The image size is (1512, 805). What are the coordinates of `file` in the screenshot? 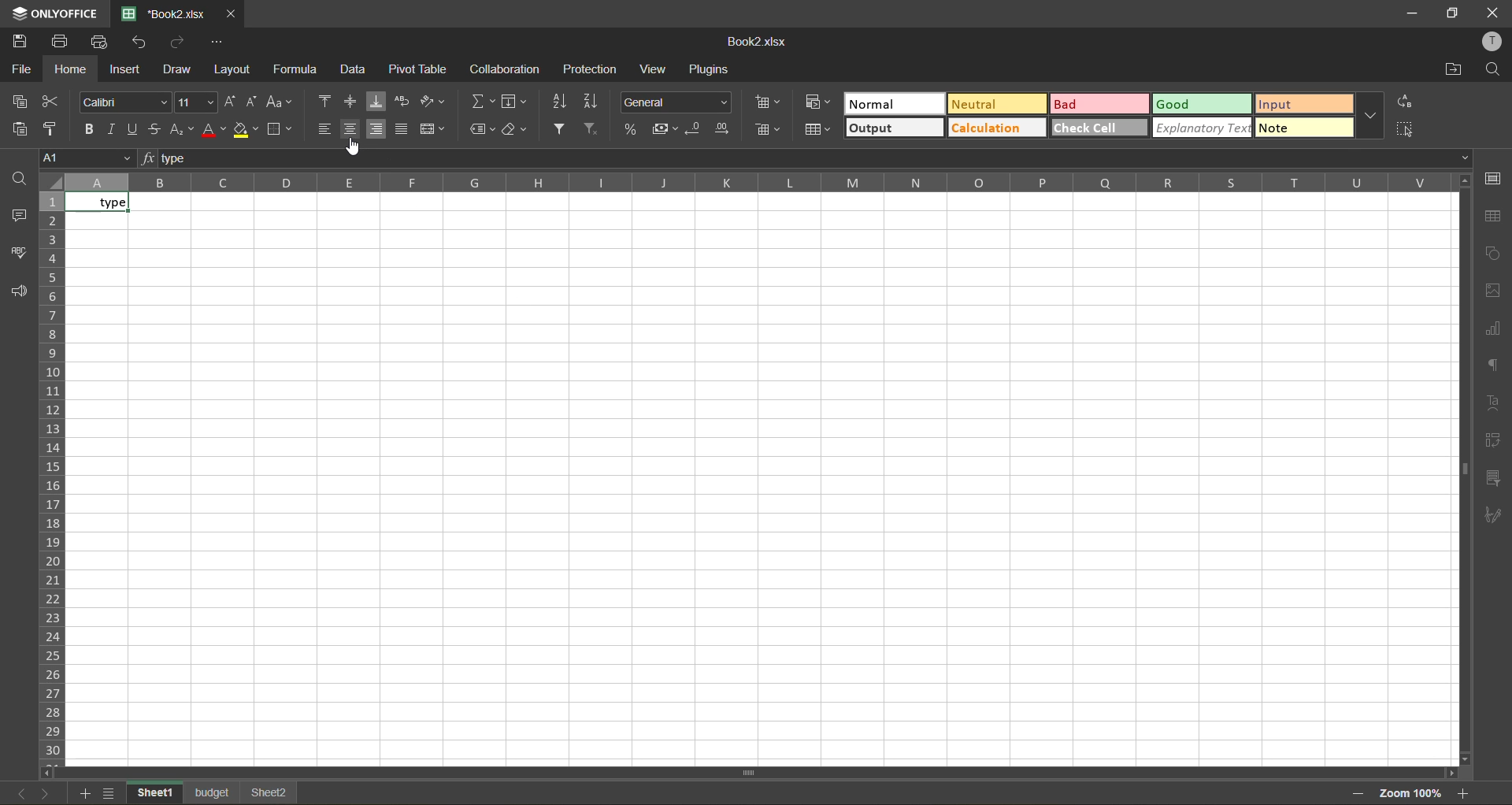 It's located at (19, 69).